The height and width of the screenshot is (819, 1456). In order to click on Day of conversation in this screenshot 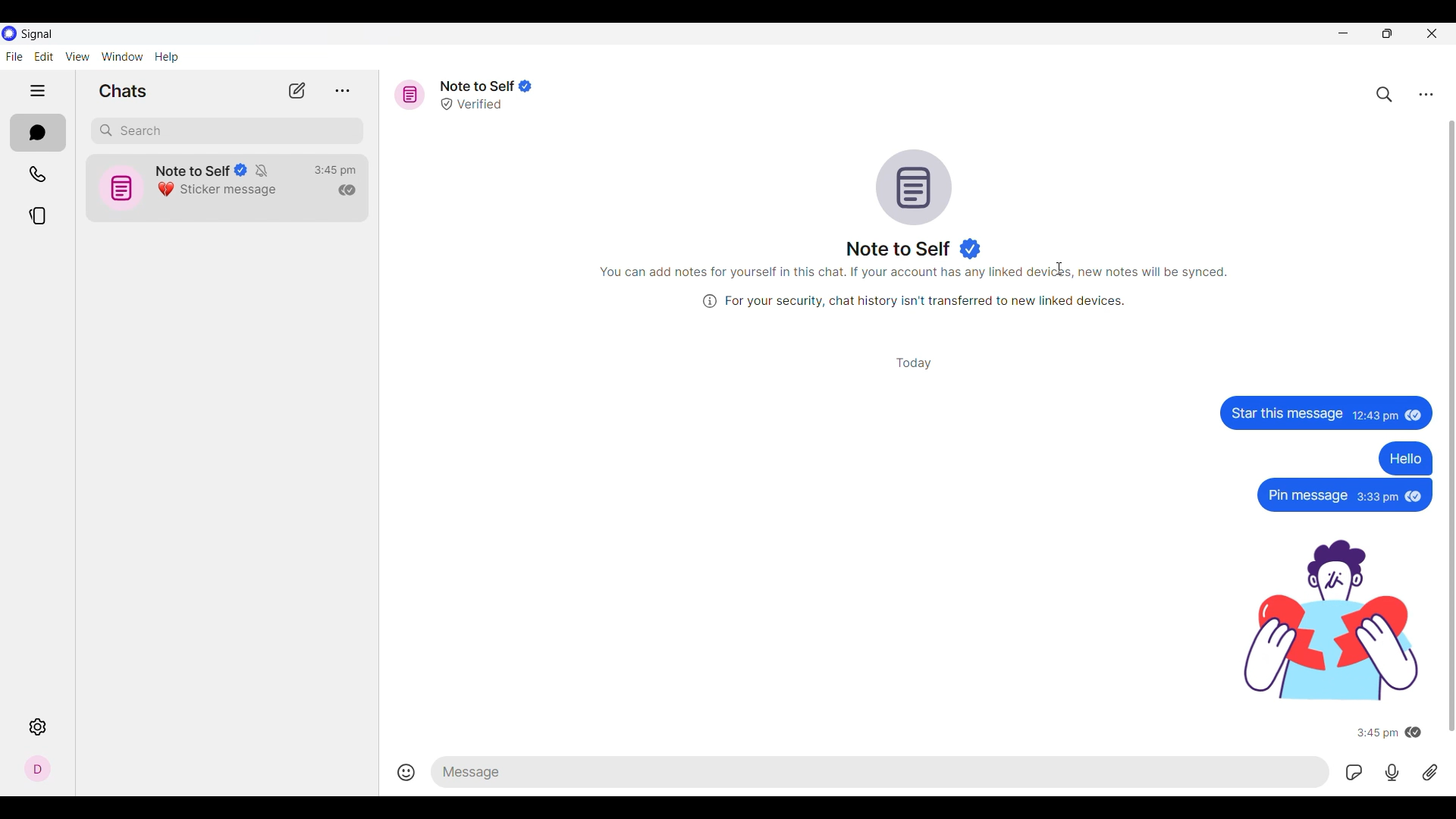, I will do `click(914, 362)`.